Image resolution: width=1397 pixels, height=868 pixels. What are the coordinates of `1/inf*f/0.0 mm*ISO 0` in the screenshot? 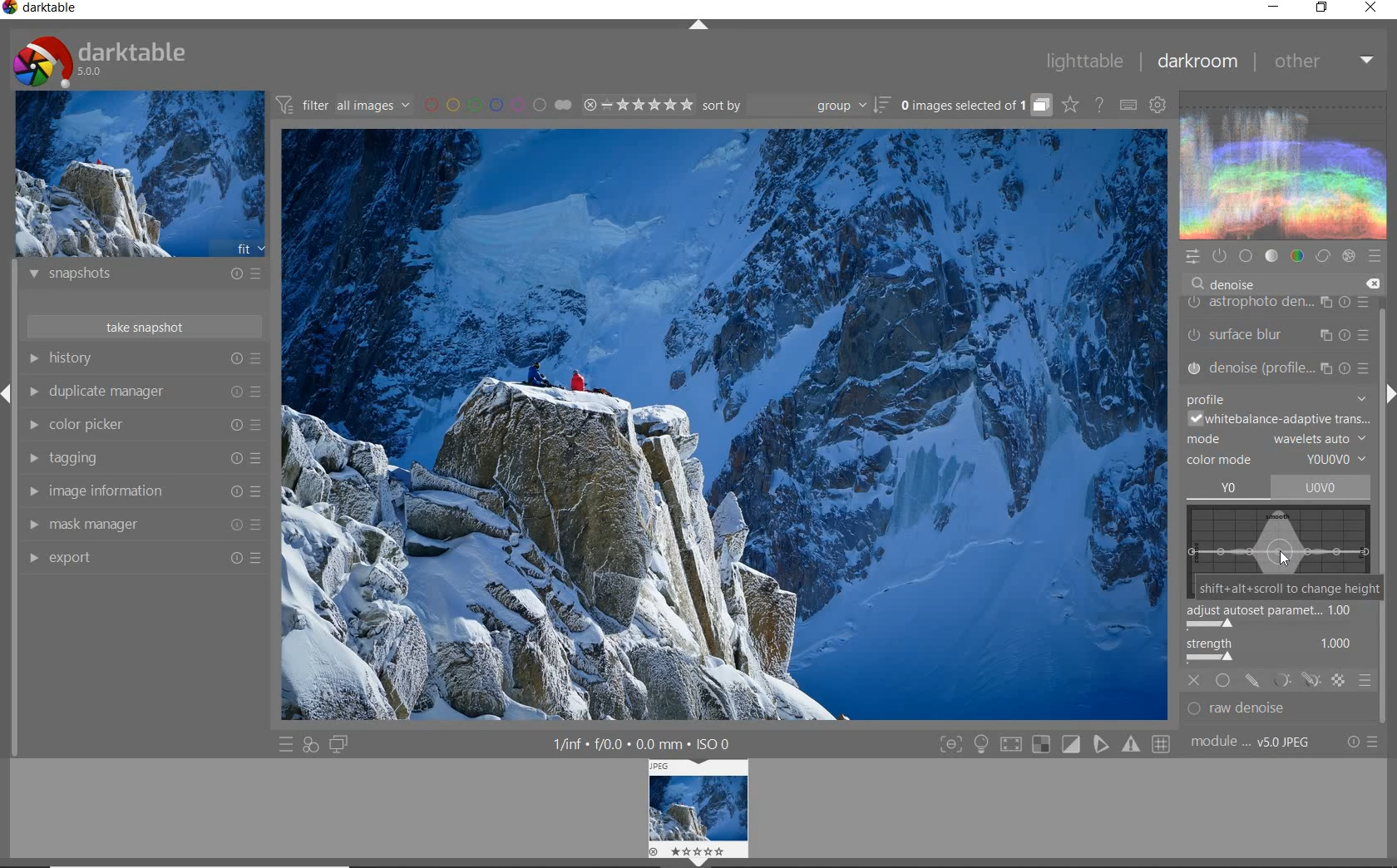 It's located at (648, 743).